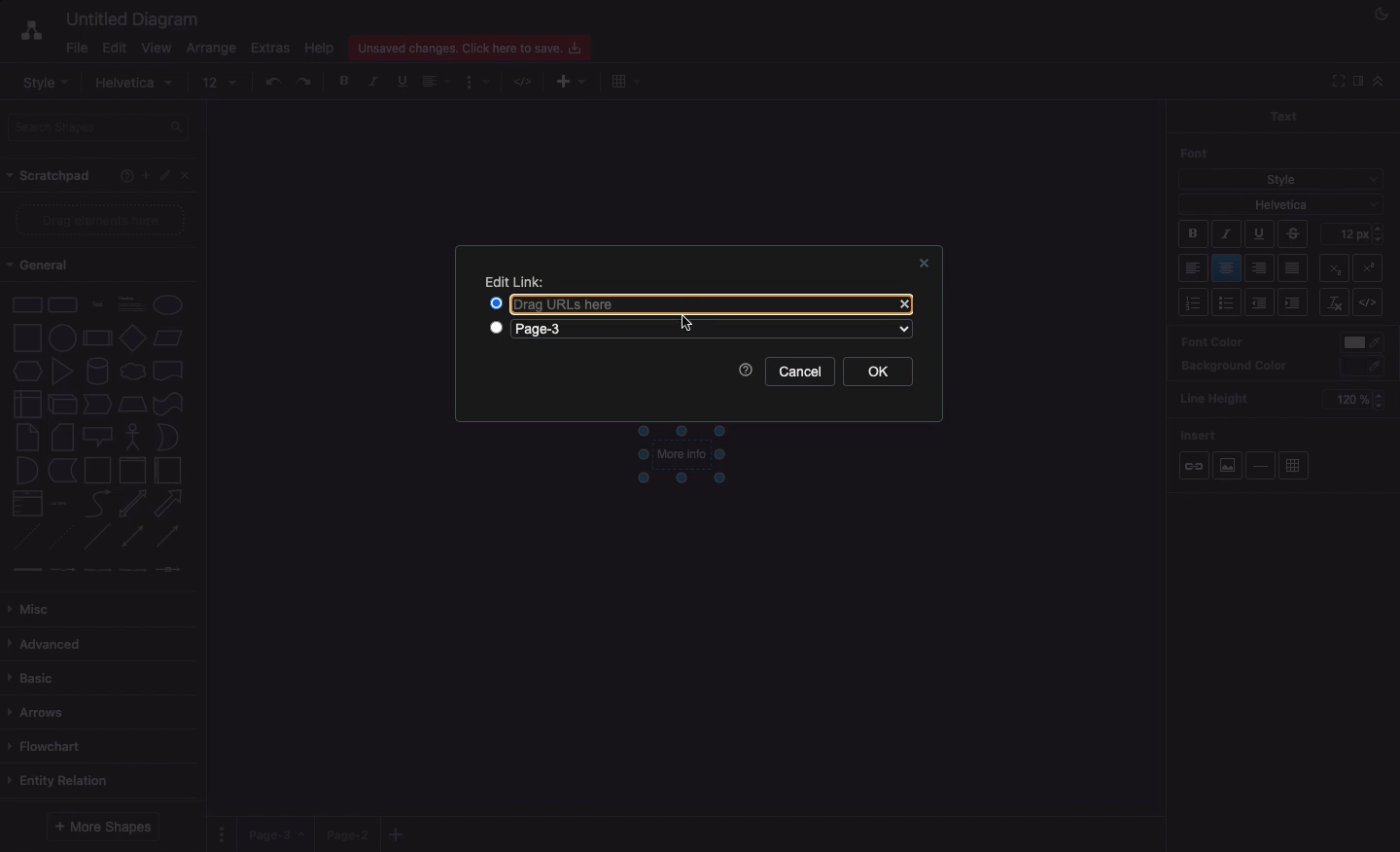  I want to click on Extras, so click(271, 48).